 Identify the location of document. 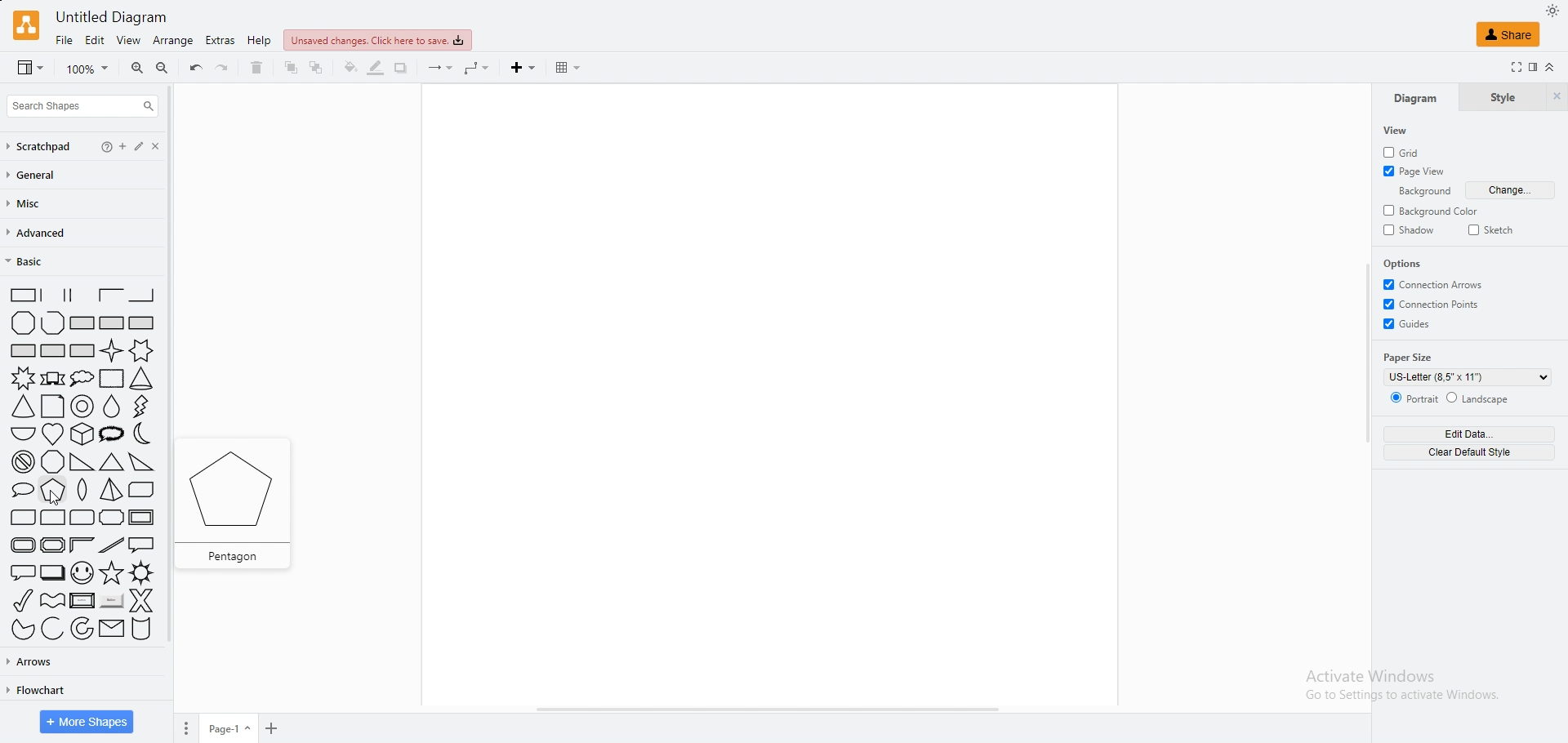
(52, 407).